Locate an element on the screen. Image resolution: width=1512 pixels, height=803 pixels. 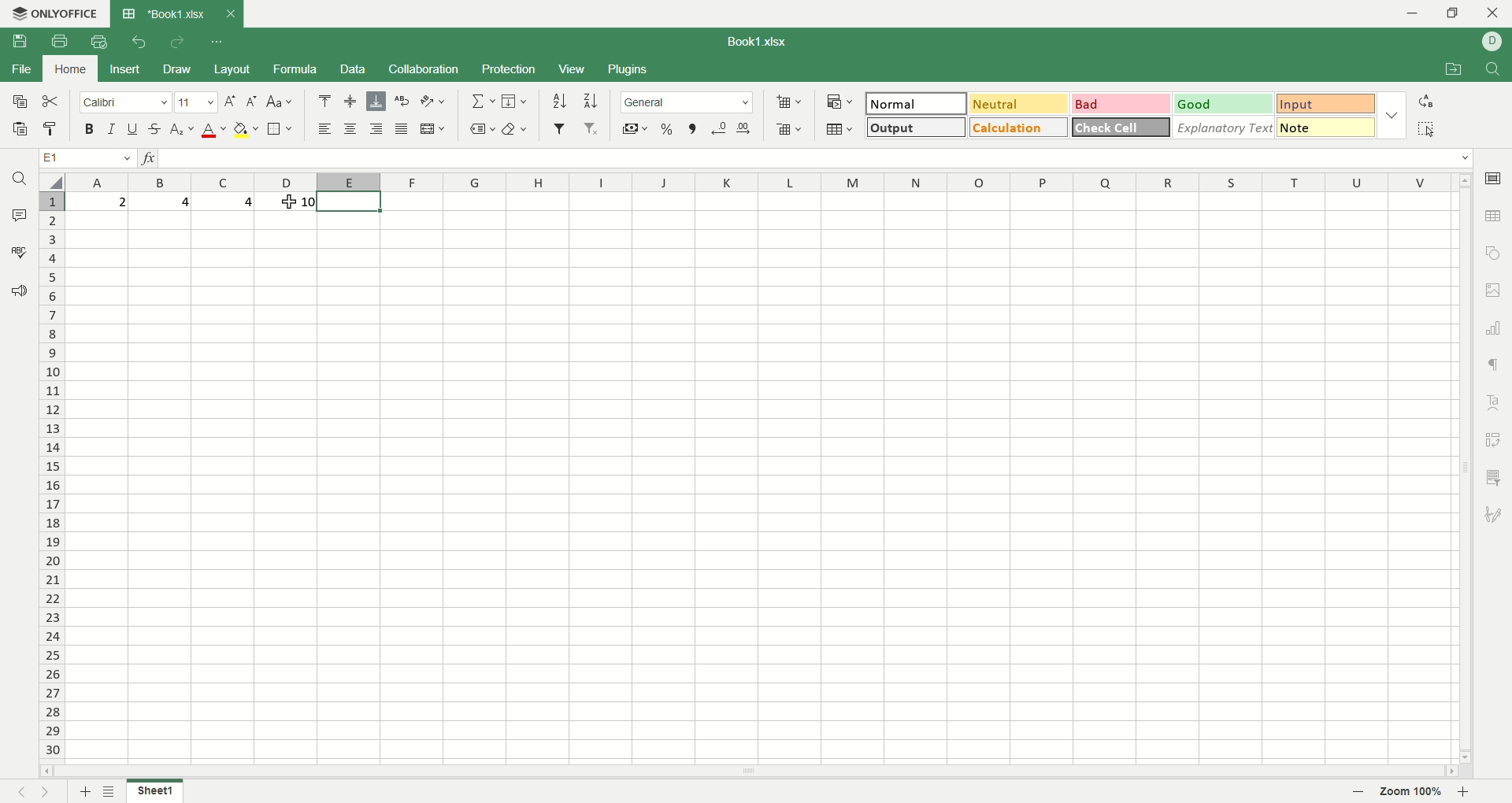
conditional formatting is located at coordinates (837, 103).